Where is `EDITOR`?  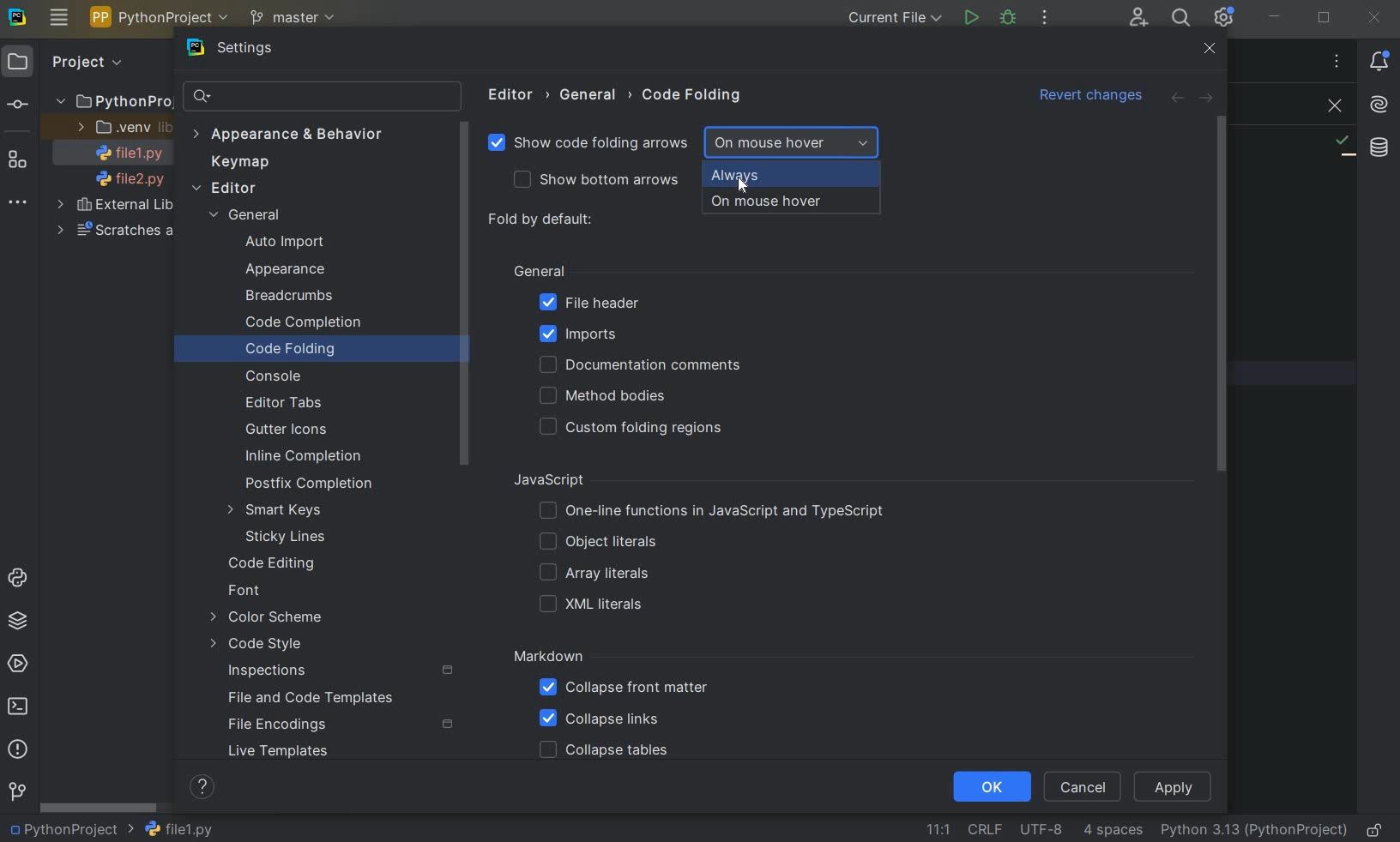
EDITOR is located at coordinates (514, 94).